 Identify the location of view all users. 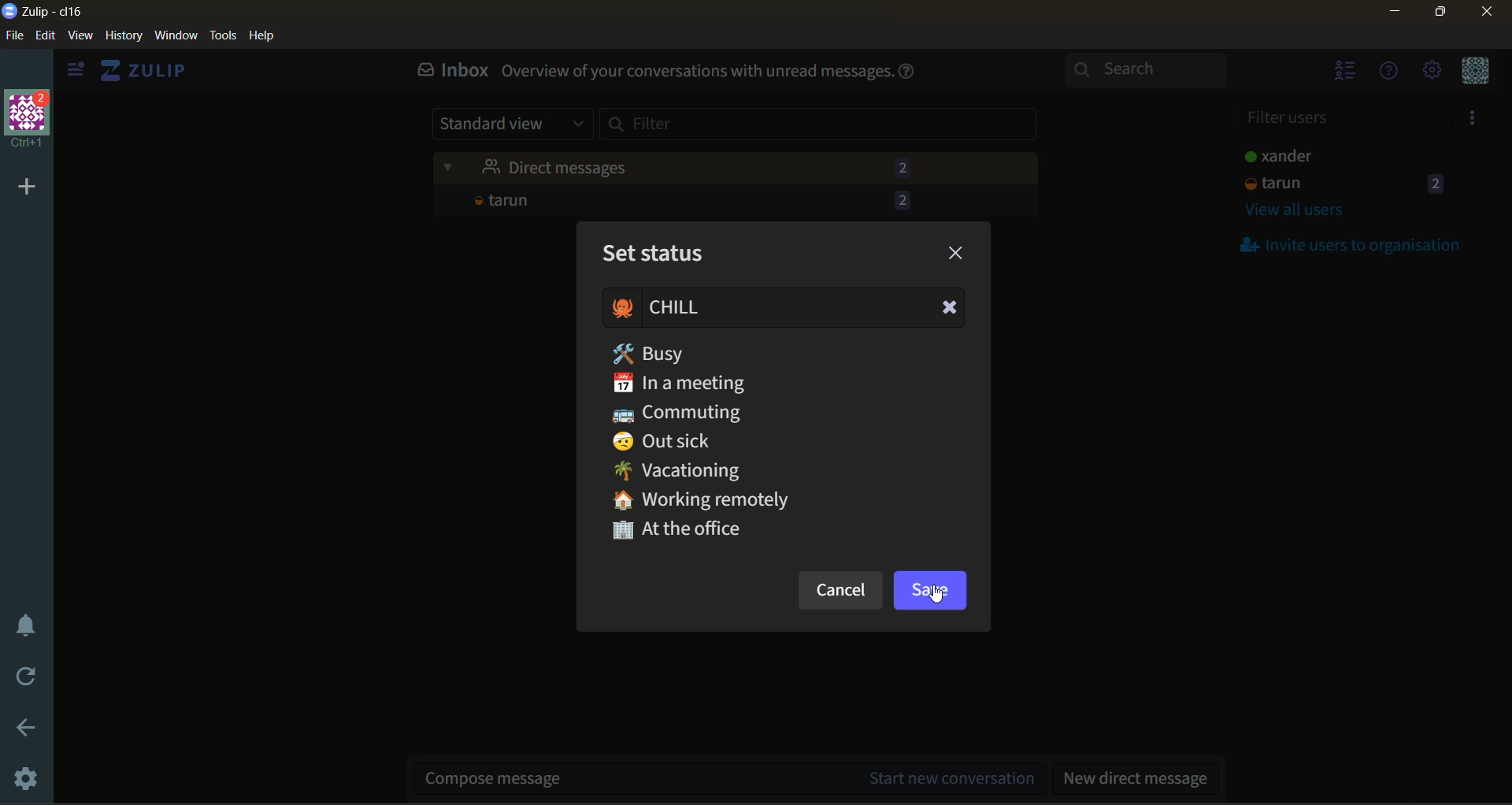
(1314, 213).